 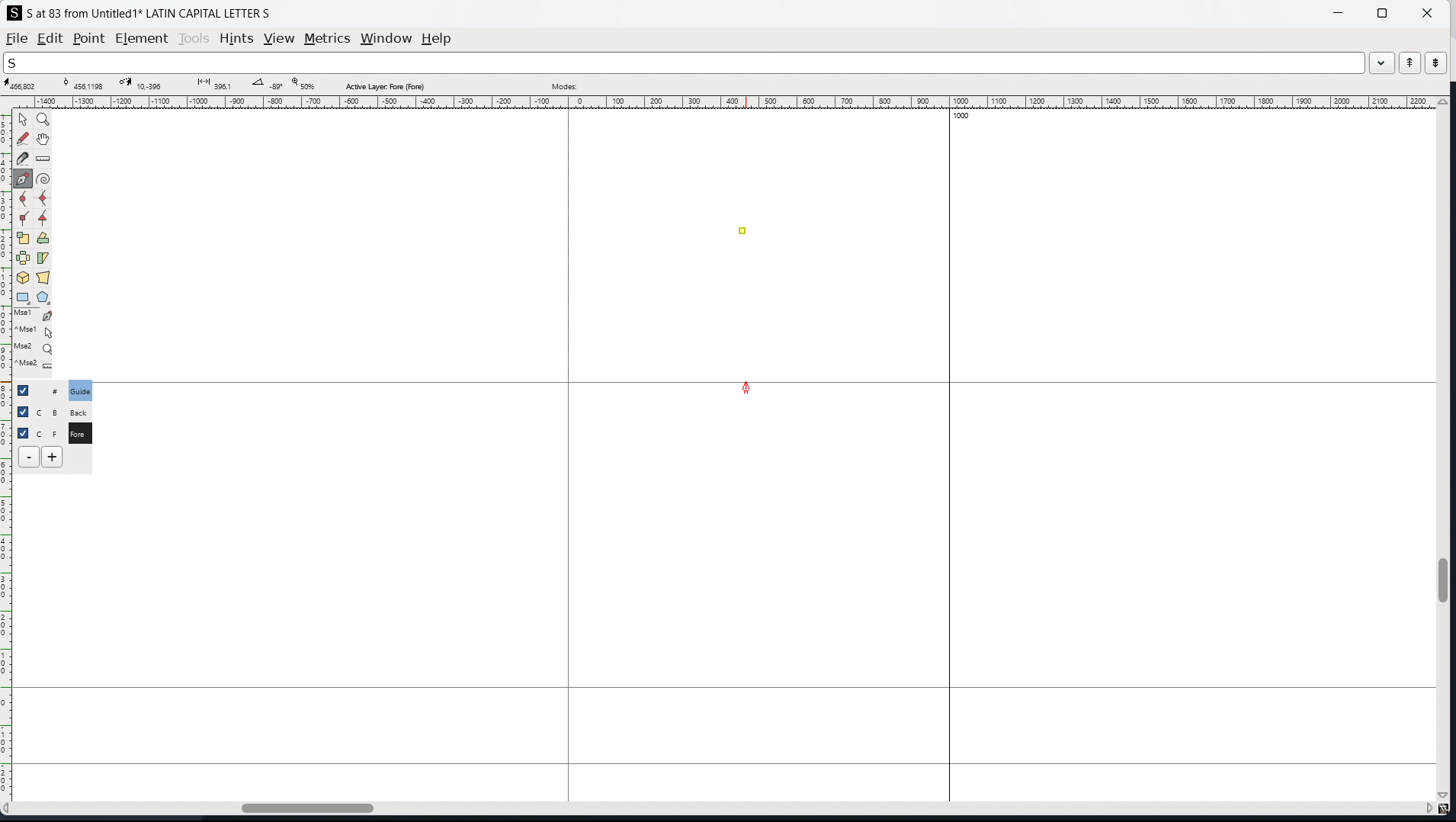 What do you see at coordinates (45, 140) in the screenshot?
I see `scroll by hand` at bounding box center [45, 140].